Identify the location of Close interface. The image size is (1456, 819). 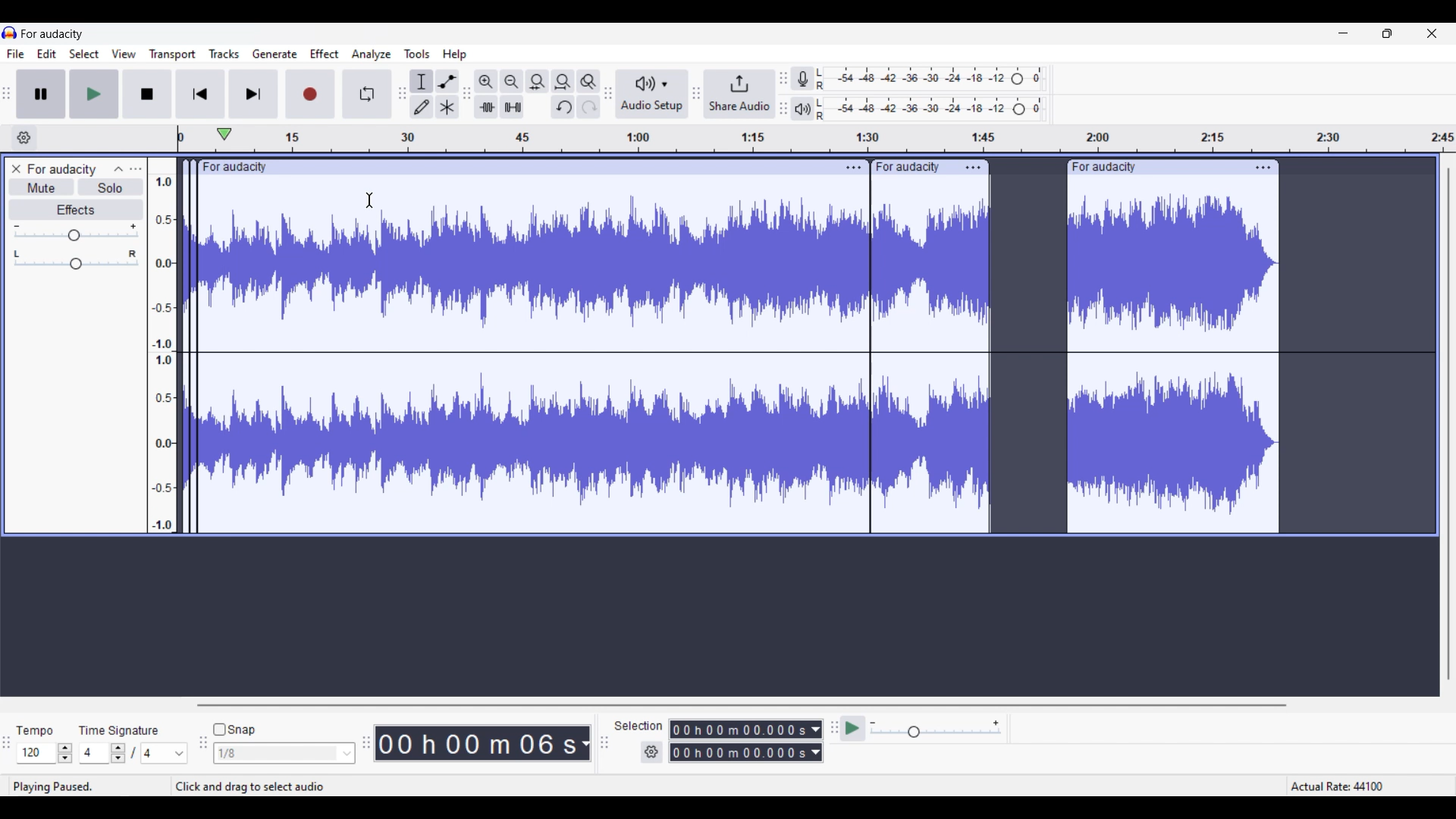
(1432, 33).